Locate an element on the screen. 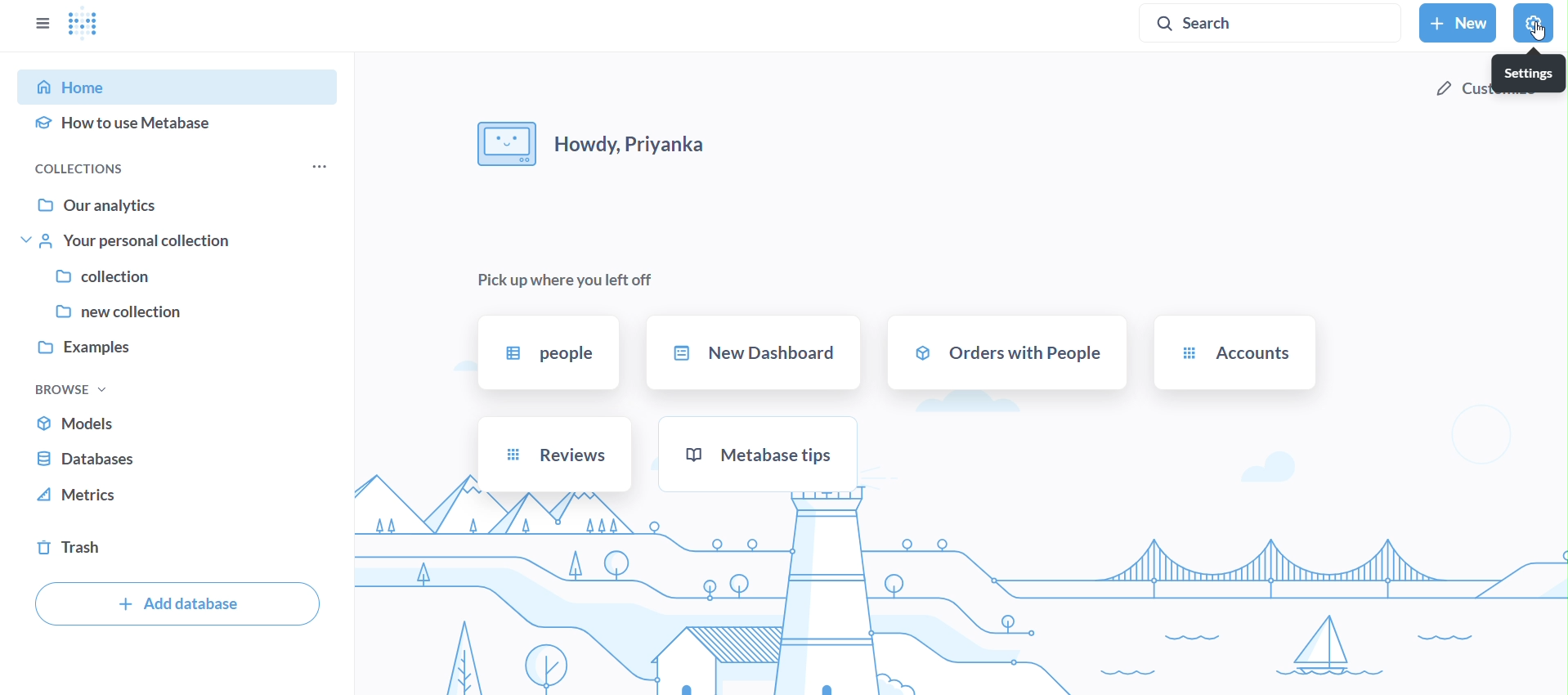  add database is located at coordinates (177, 605).